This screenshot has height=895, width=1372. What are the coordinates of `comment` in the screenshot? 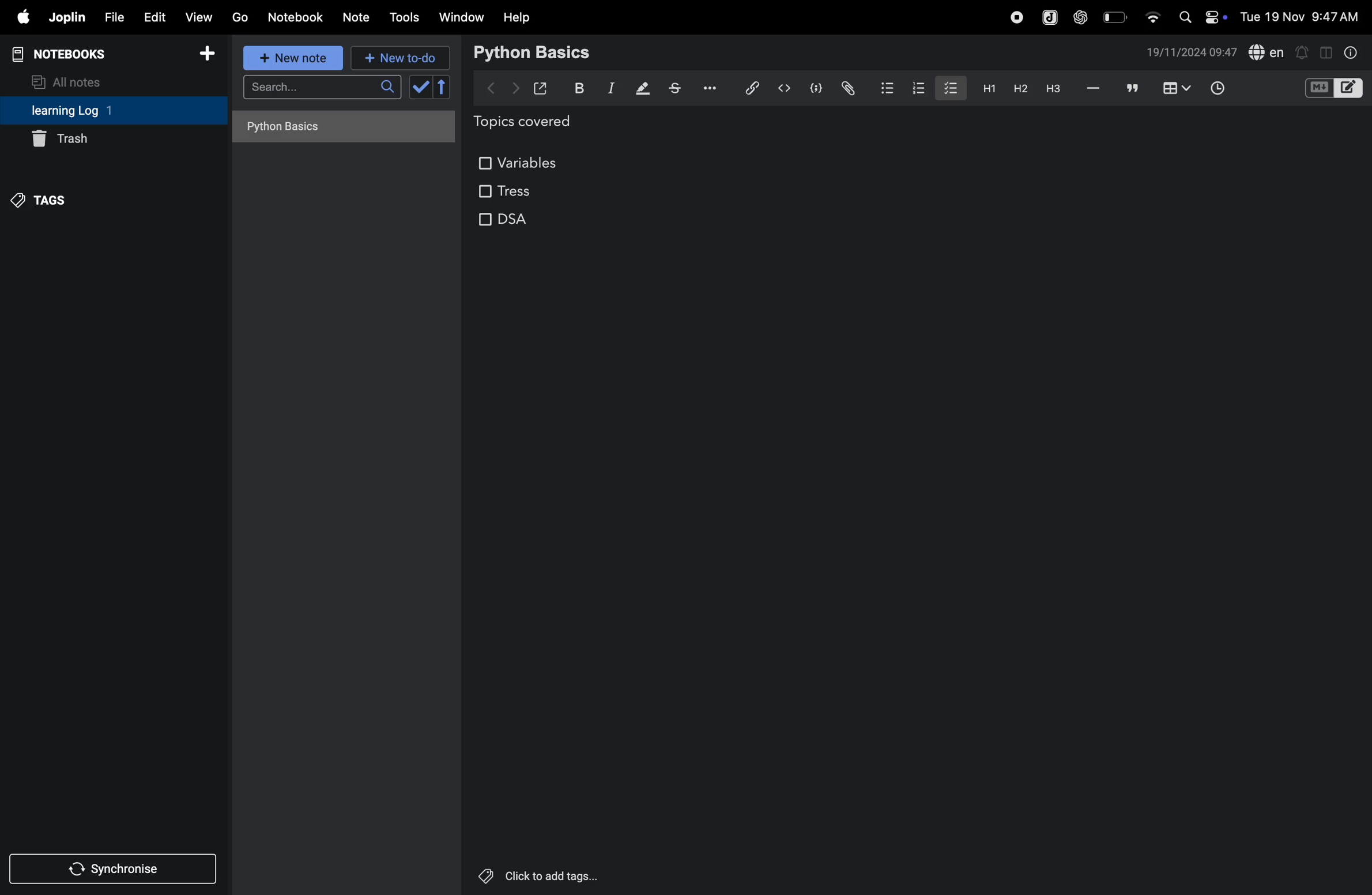 It's located at (1133, 89).